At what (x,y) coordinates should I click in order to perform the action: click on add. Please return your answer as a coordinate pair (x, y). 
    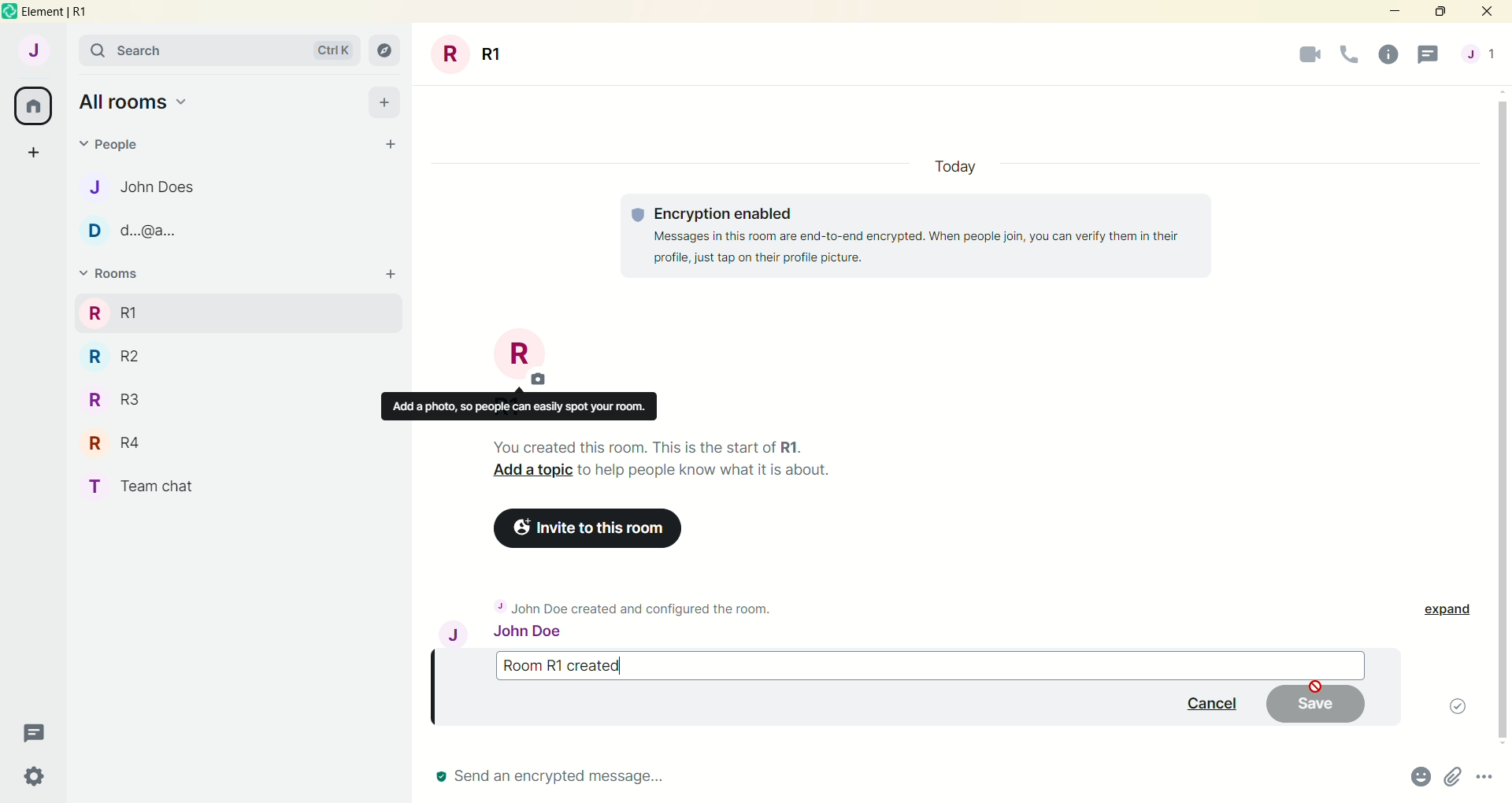
    Looking at the image, I should click on (389, 274).